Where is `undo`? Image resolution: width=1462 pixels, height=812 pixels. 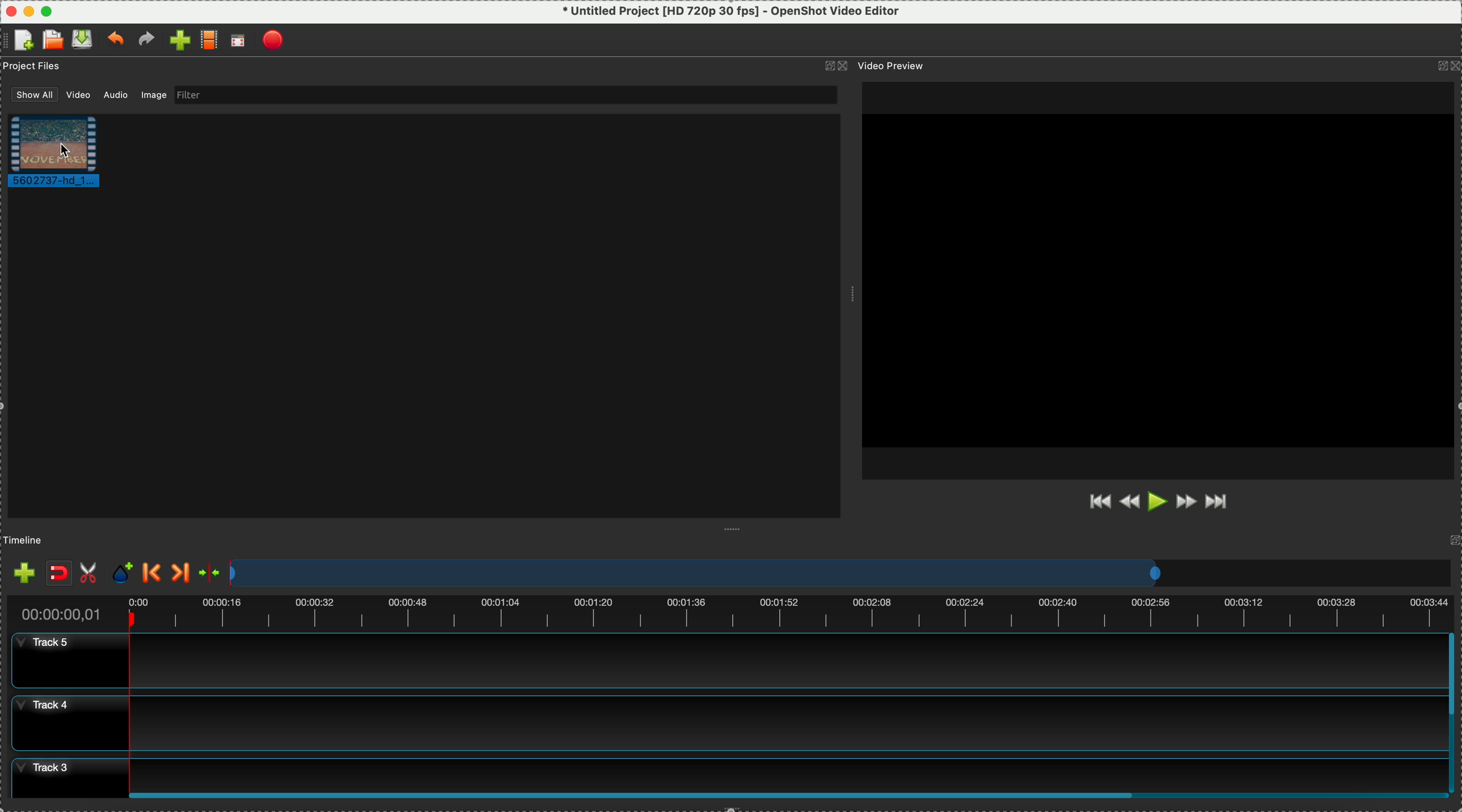
undo is located at coordinates (115, 40).